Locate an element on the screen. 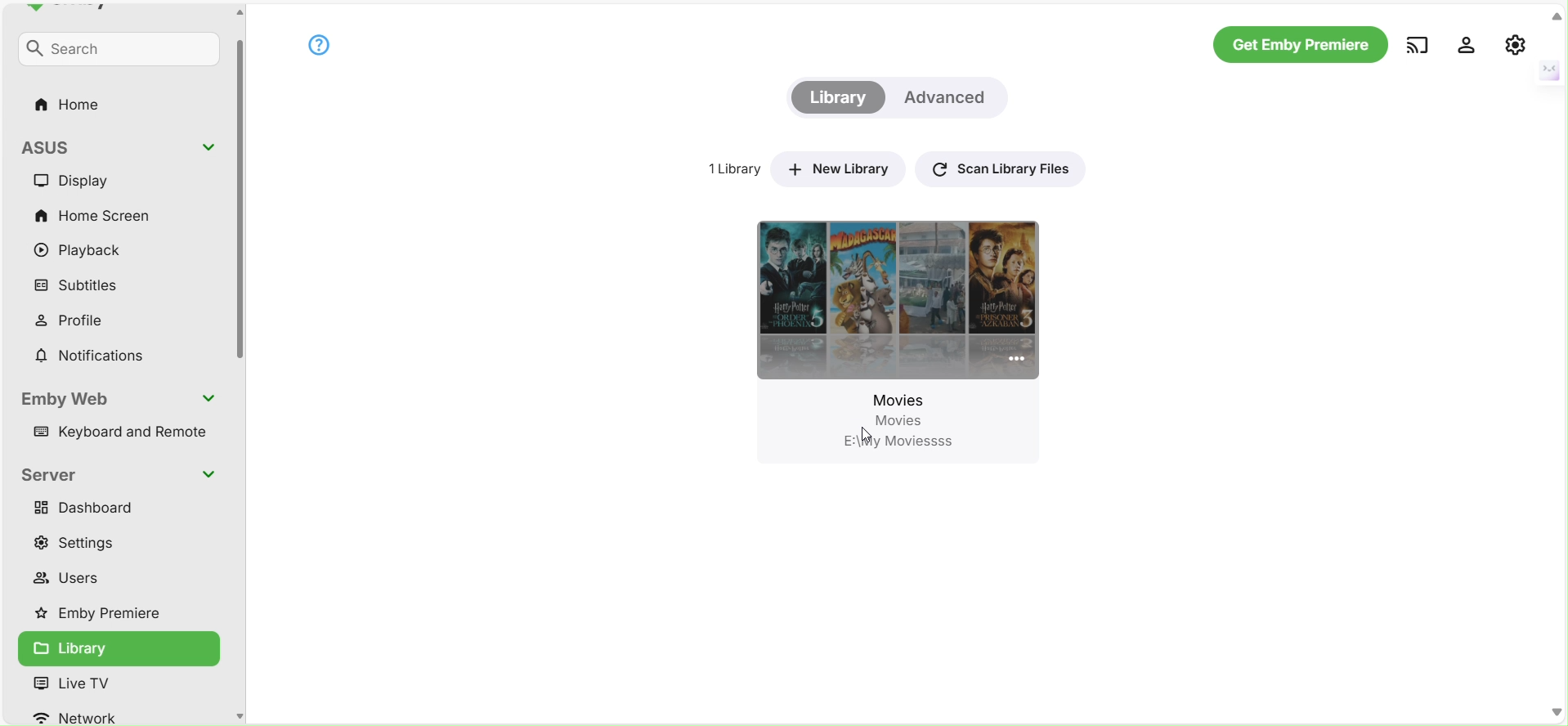 The height and width of the screenshot is (726, 1568). Get Emby Premier is located at coordinates (1299, 45).